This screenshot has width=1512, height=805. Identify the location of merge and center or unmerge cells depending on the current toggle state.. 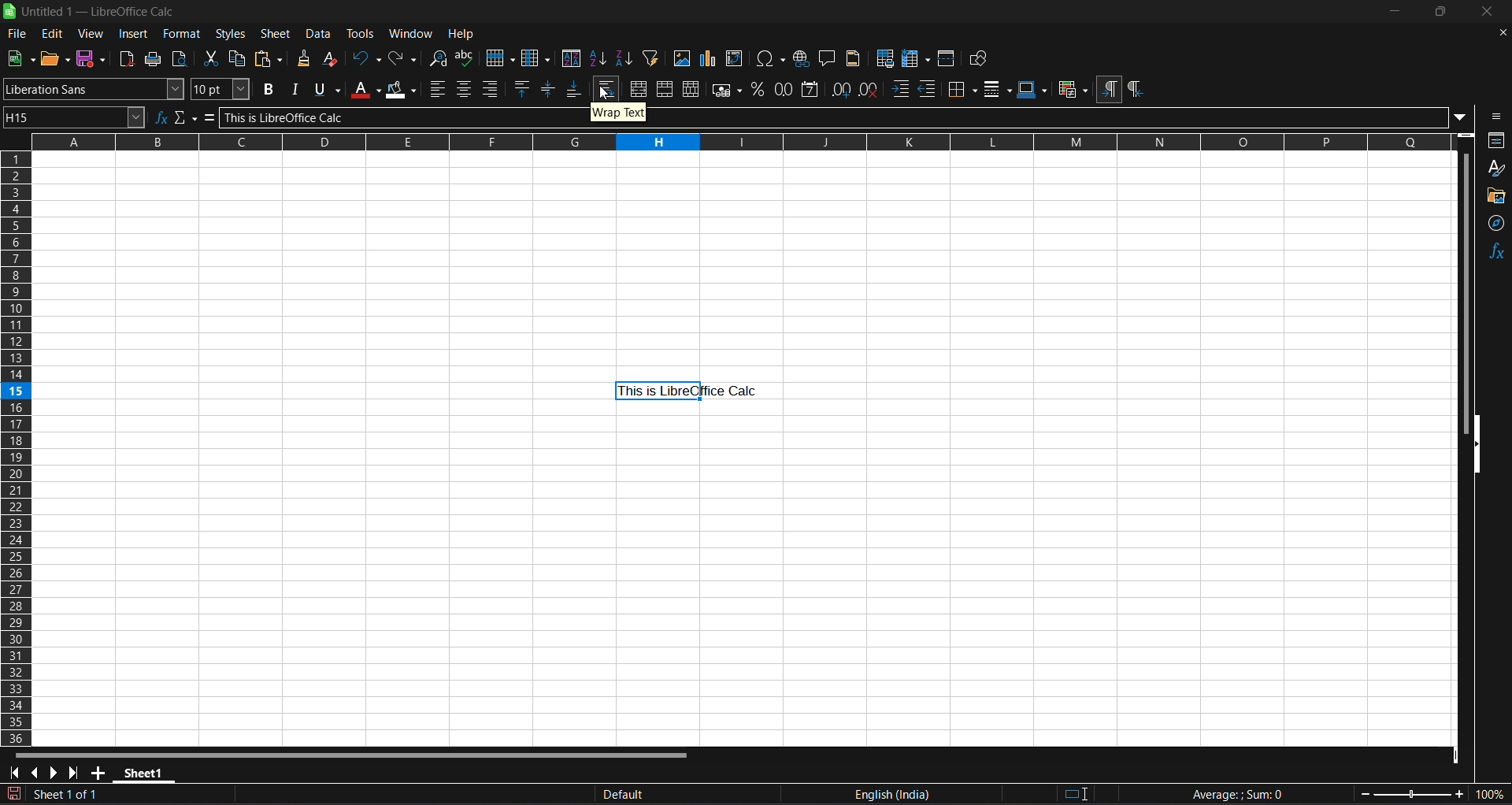
(638, 90).